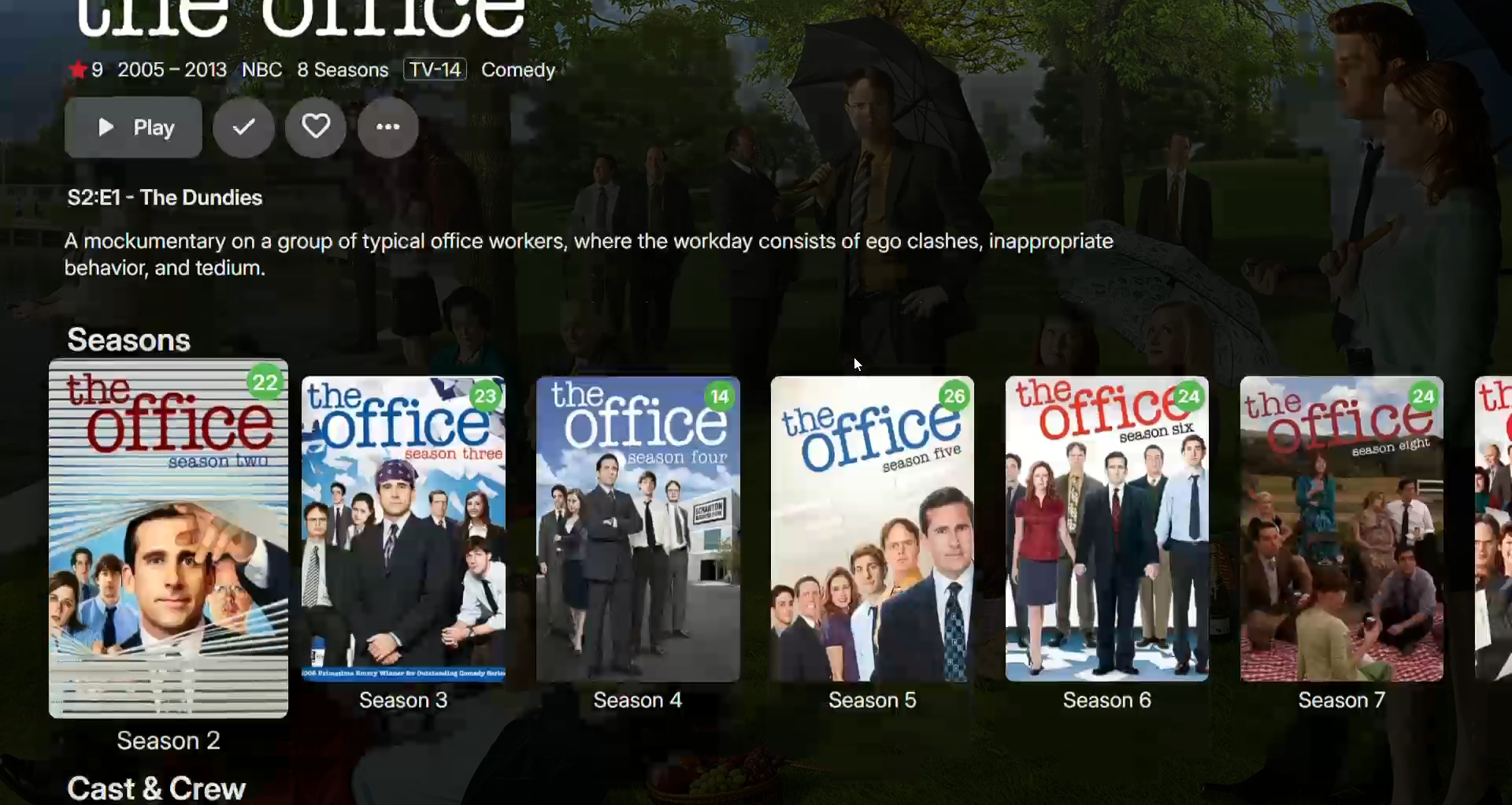  What do you see at coordinates (411, 561) in the screenshot?
I see `Season 3` at bounding box center [411, 561].